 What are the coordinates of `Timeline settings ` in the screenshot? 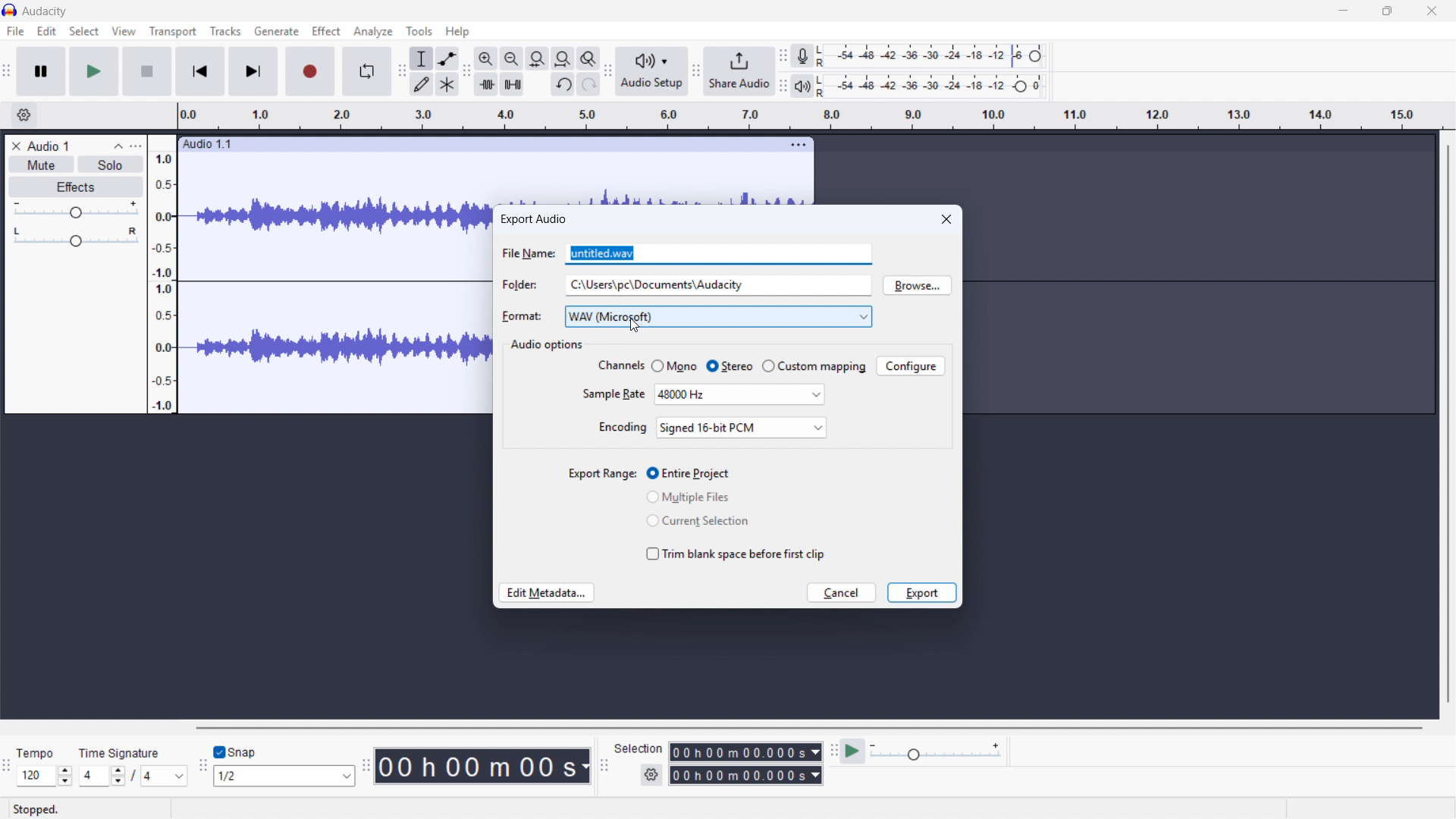 It's located at (22, 115).